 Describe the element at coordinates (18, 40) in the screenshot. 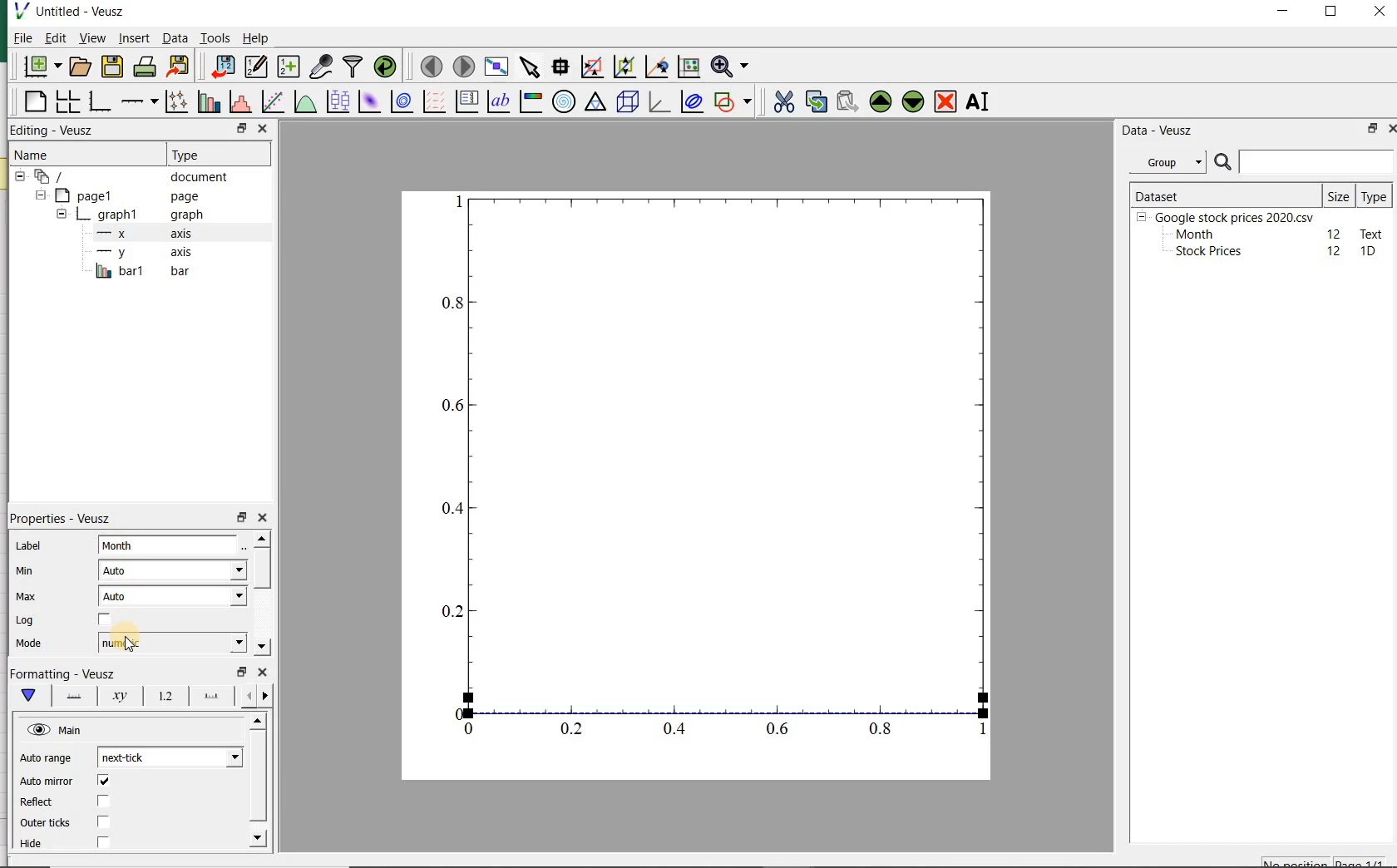

I see `File` at that location.